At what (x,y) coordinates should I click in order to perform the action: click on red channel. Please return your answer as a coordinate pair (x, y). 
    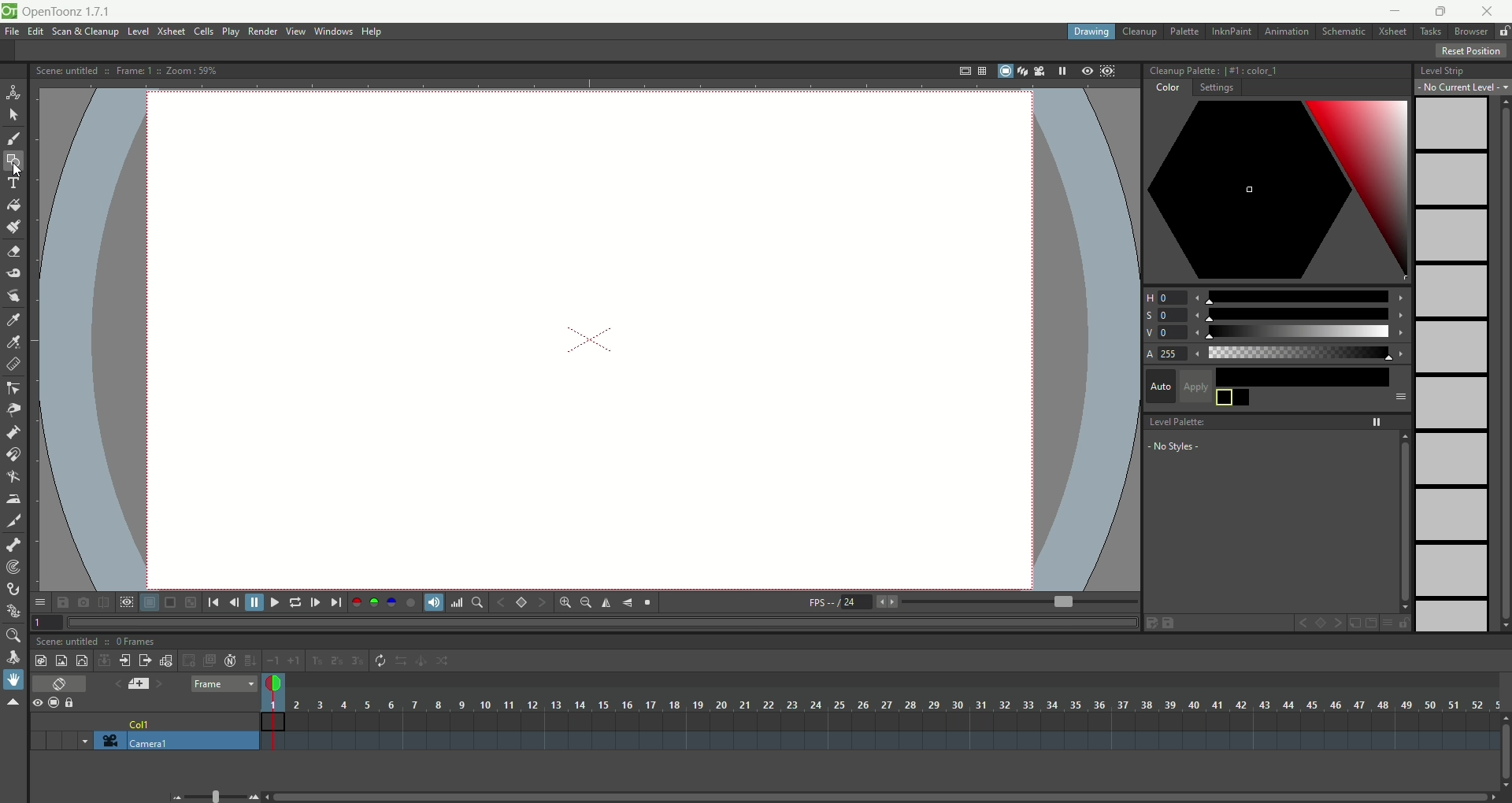
    Looking at the image, I should click on (357, 601).